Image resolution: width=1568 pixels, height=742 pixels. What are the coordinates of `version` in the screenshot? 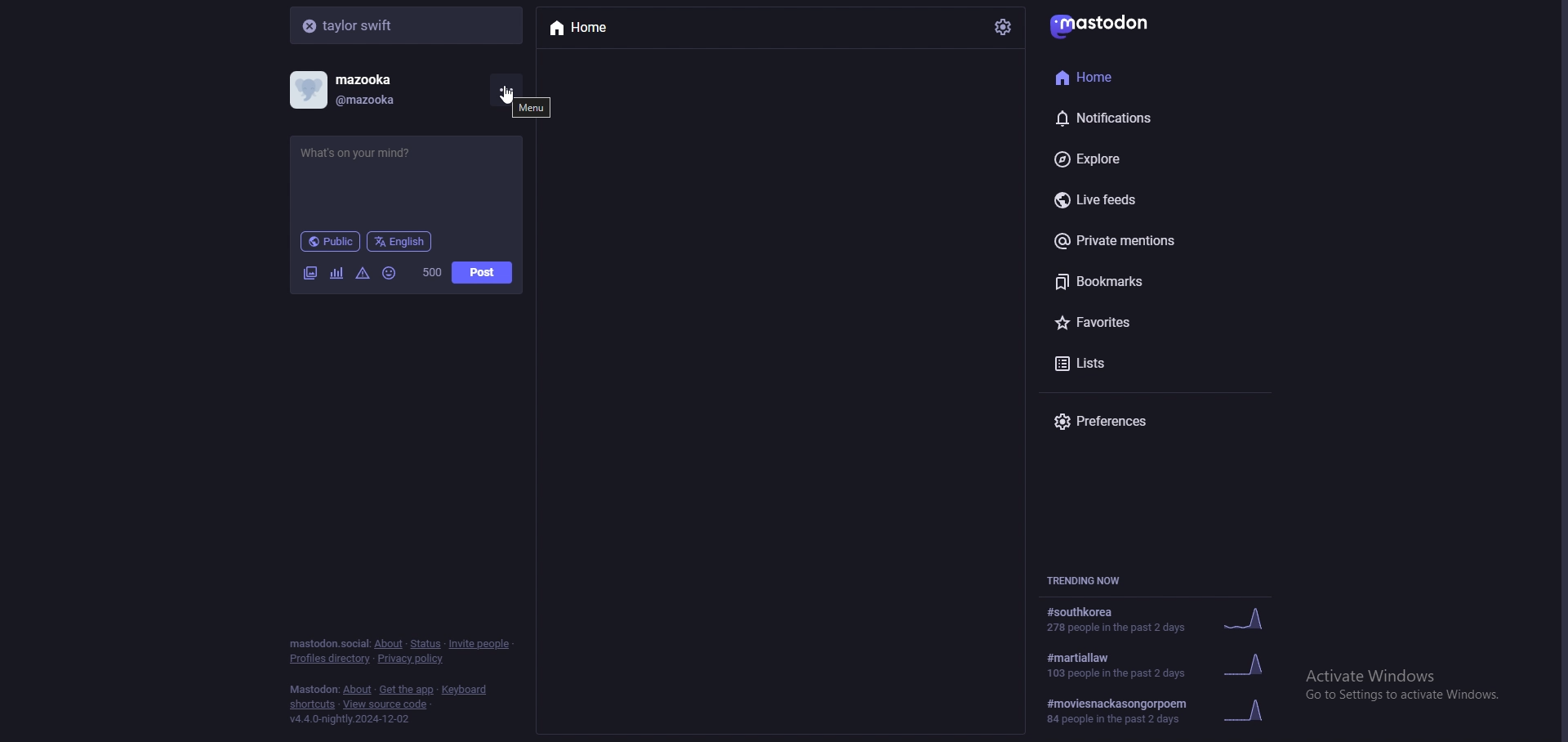 It's located at (351, 718).